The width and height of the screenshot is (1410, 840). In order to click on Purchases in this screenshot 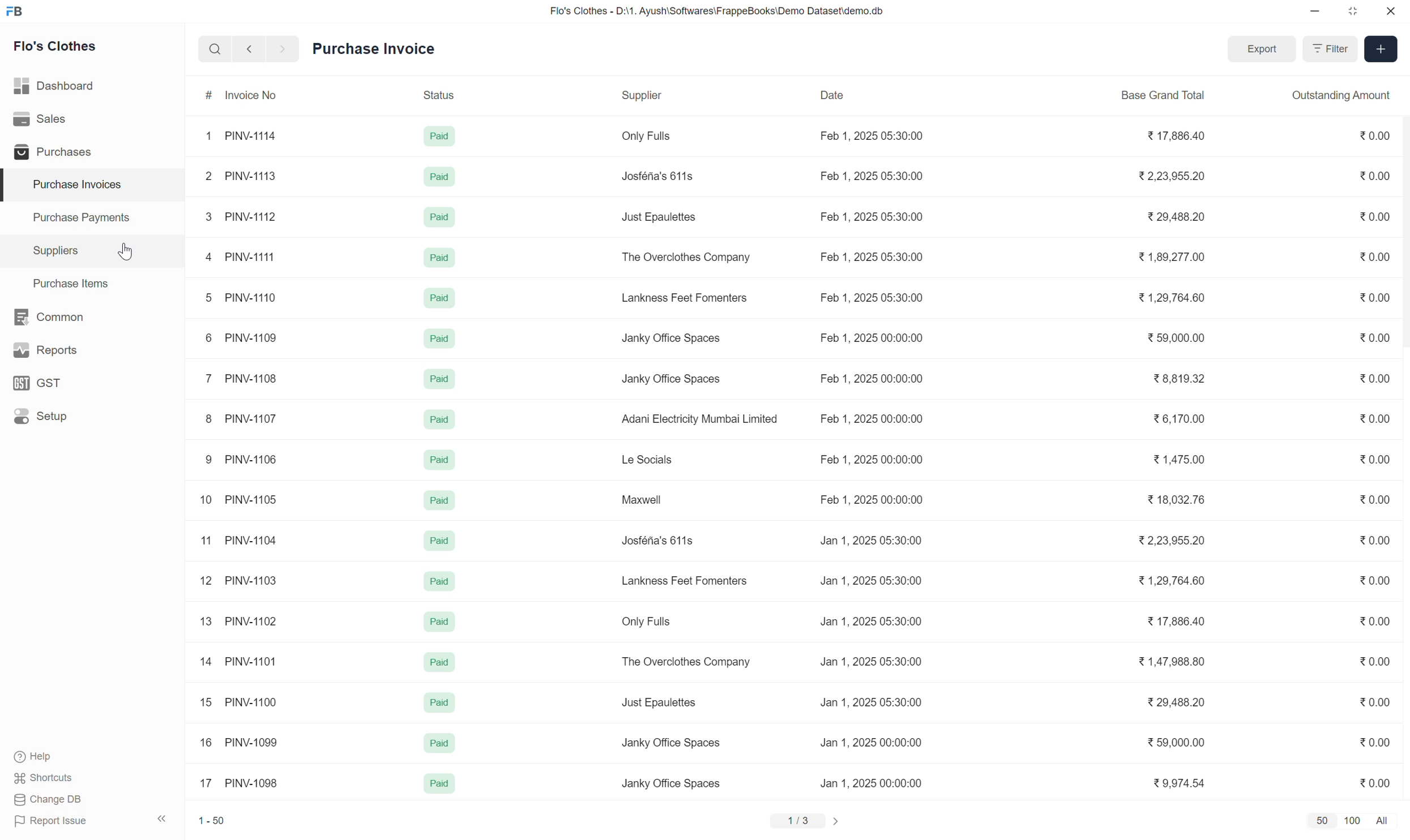, I will do `click(91, 152)`.